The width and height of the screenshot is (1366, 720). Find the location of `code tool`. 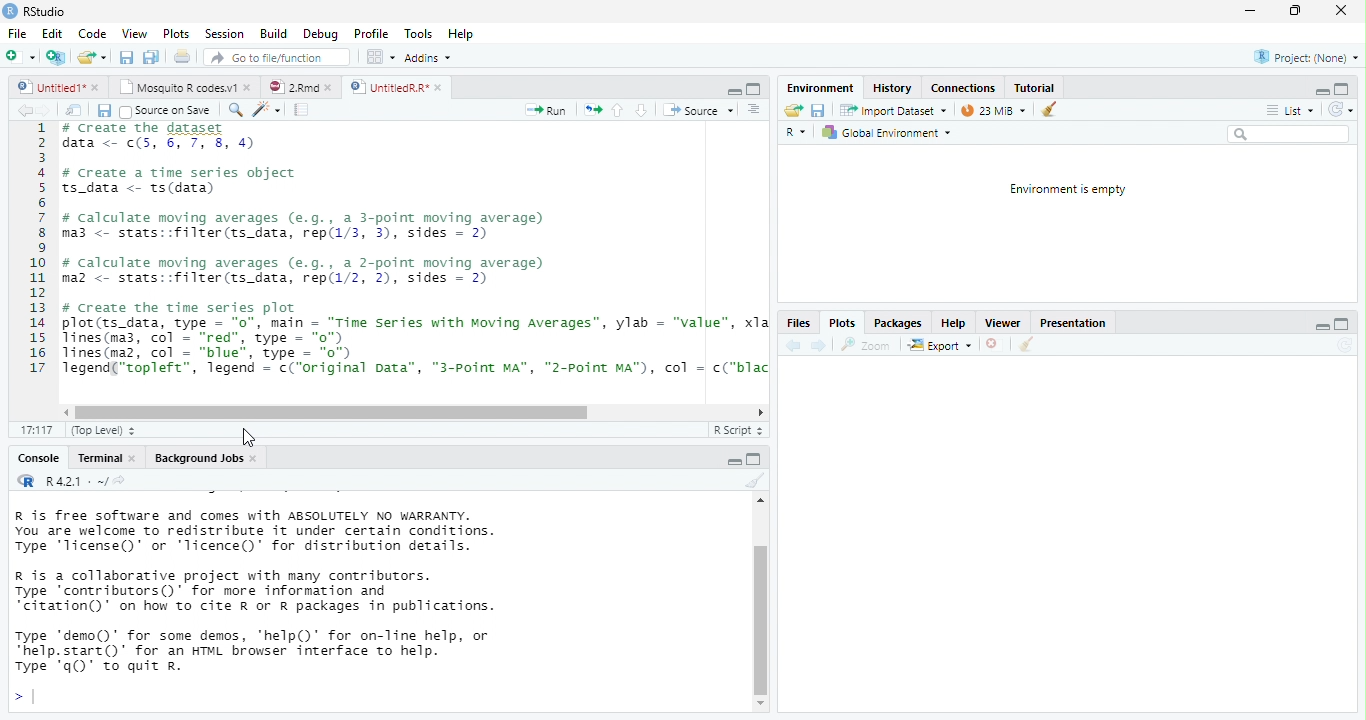

code tool is located at coordinates (268, 109).